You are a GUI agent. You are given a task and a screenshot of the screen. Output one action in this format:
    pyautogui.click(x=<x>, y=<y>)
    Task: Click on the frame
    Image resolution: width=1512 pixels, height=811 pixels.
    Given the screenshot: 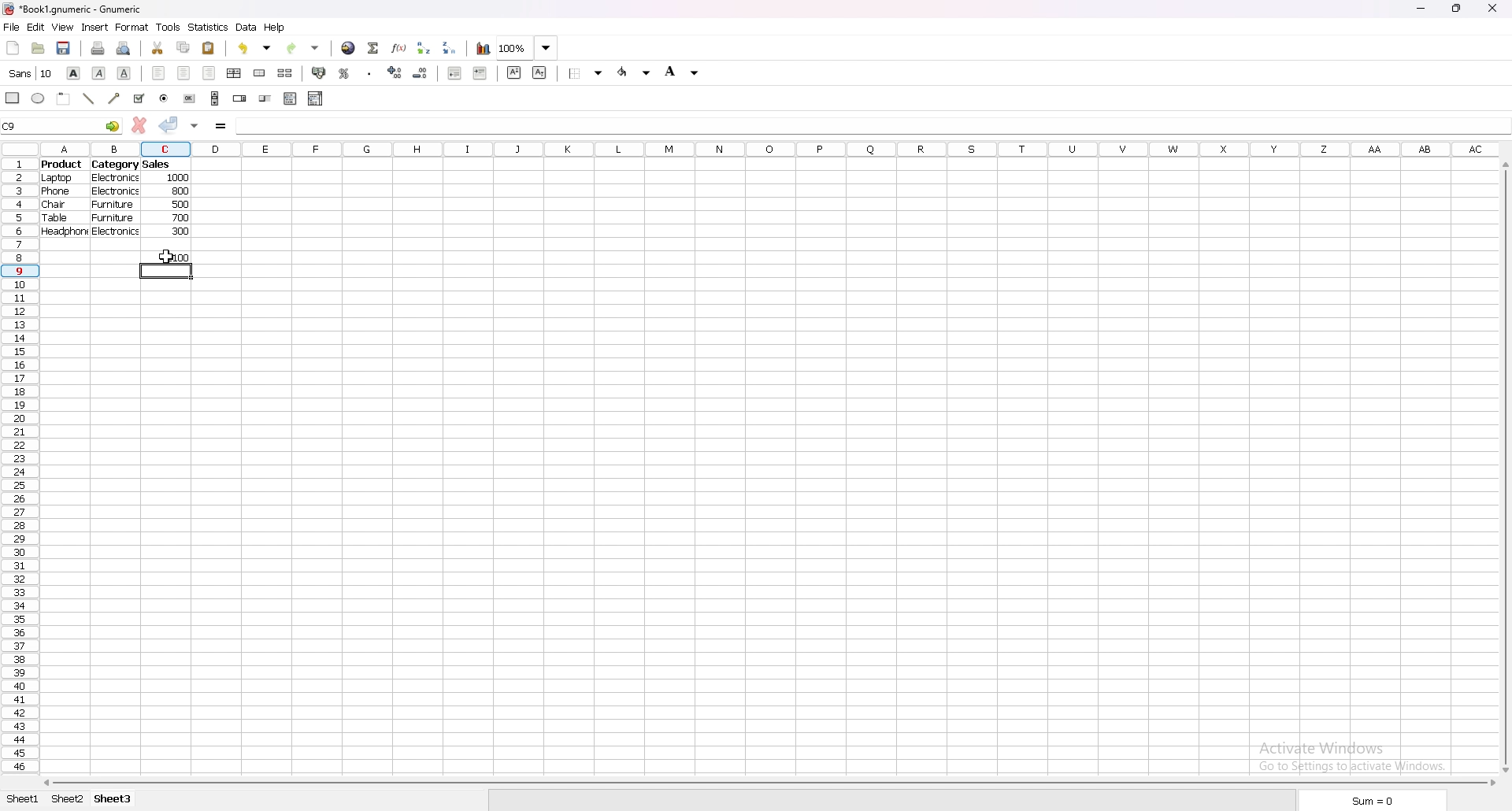 What is the action you would take?
    pyautogui.click(x=63, y=98)
    